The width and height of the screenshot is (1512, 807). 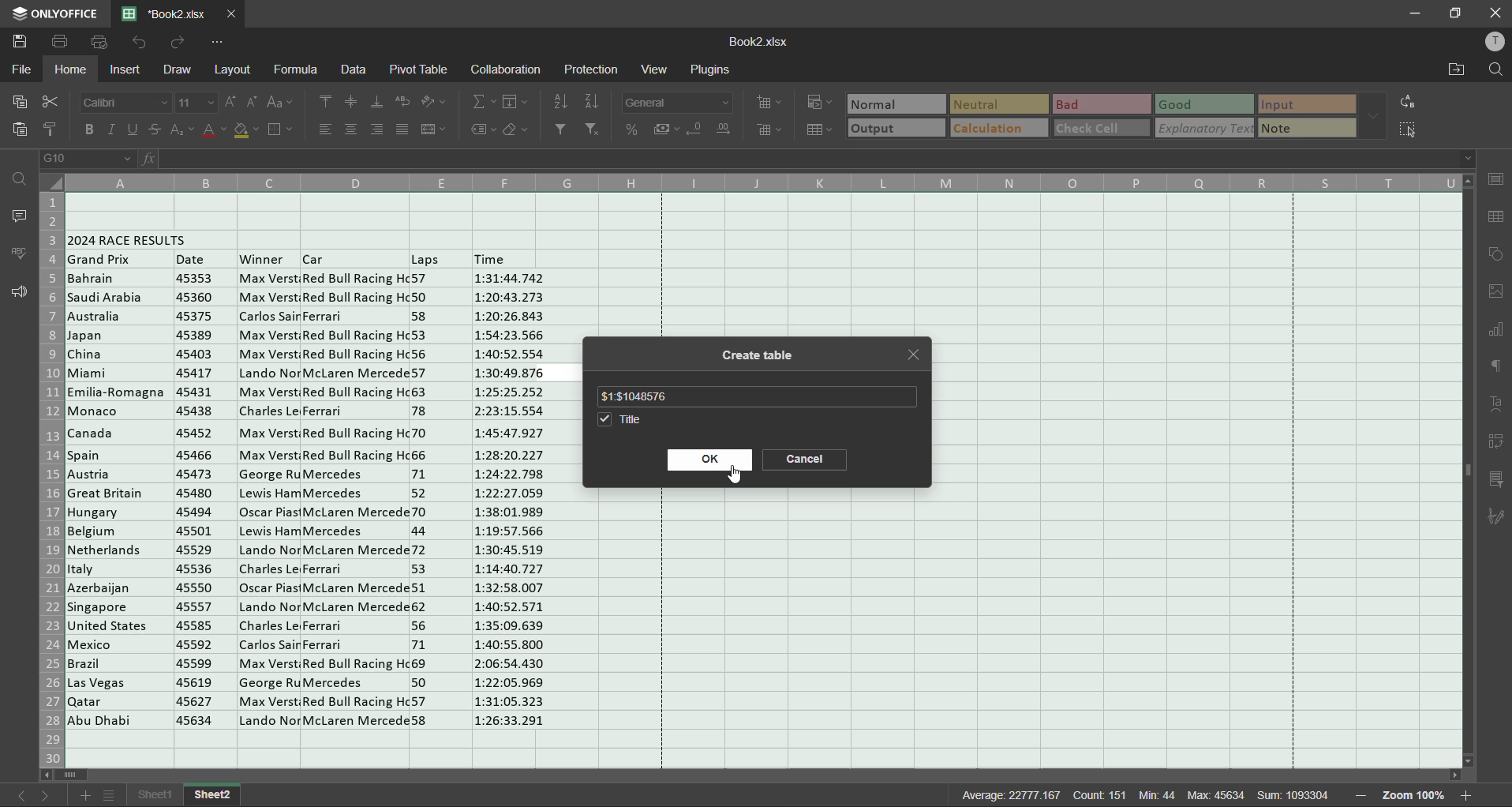 What do you see at coordinates (755, 42) in the screenshot?
I see `filename` at bounding box center [755, 42].